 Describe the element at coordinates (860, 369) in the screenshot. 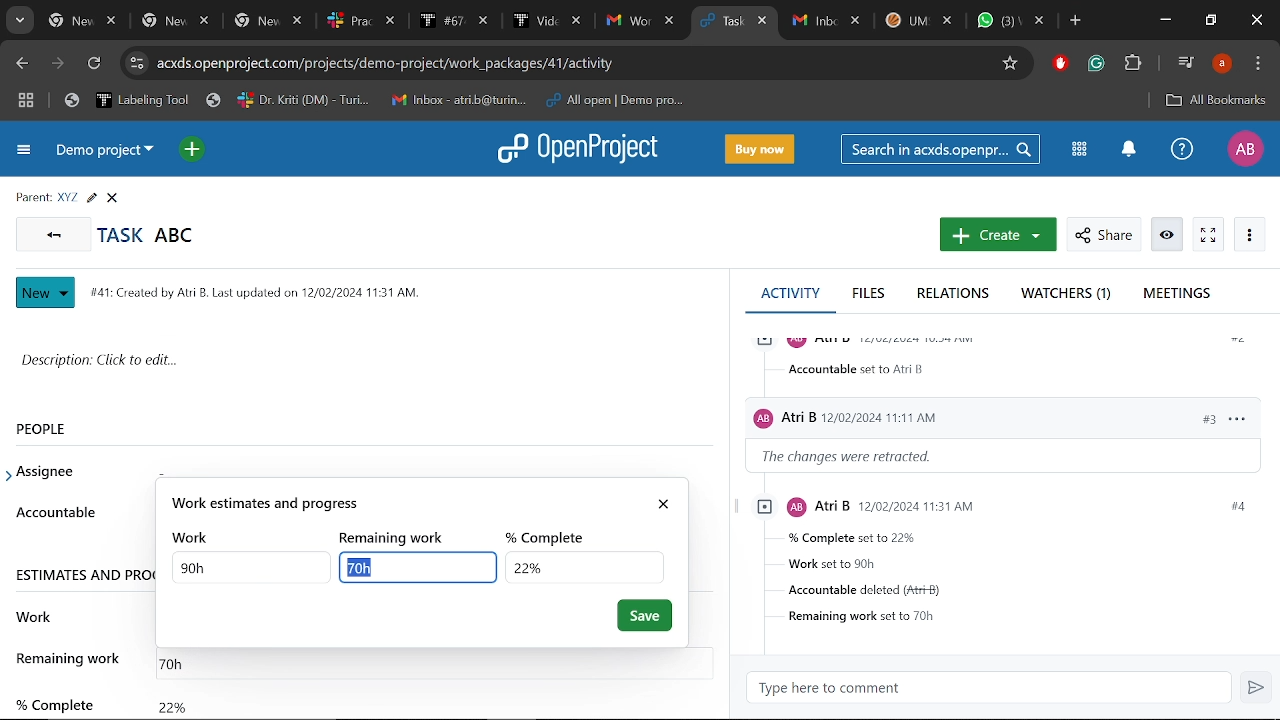

I see `accountable` at that location.